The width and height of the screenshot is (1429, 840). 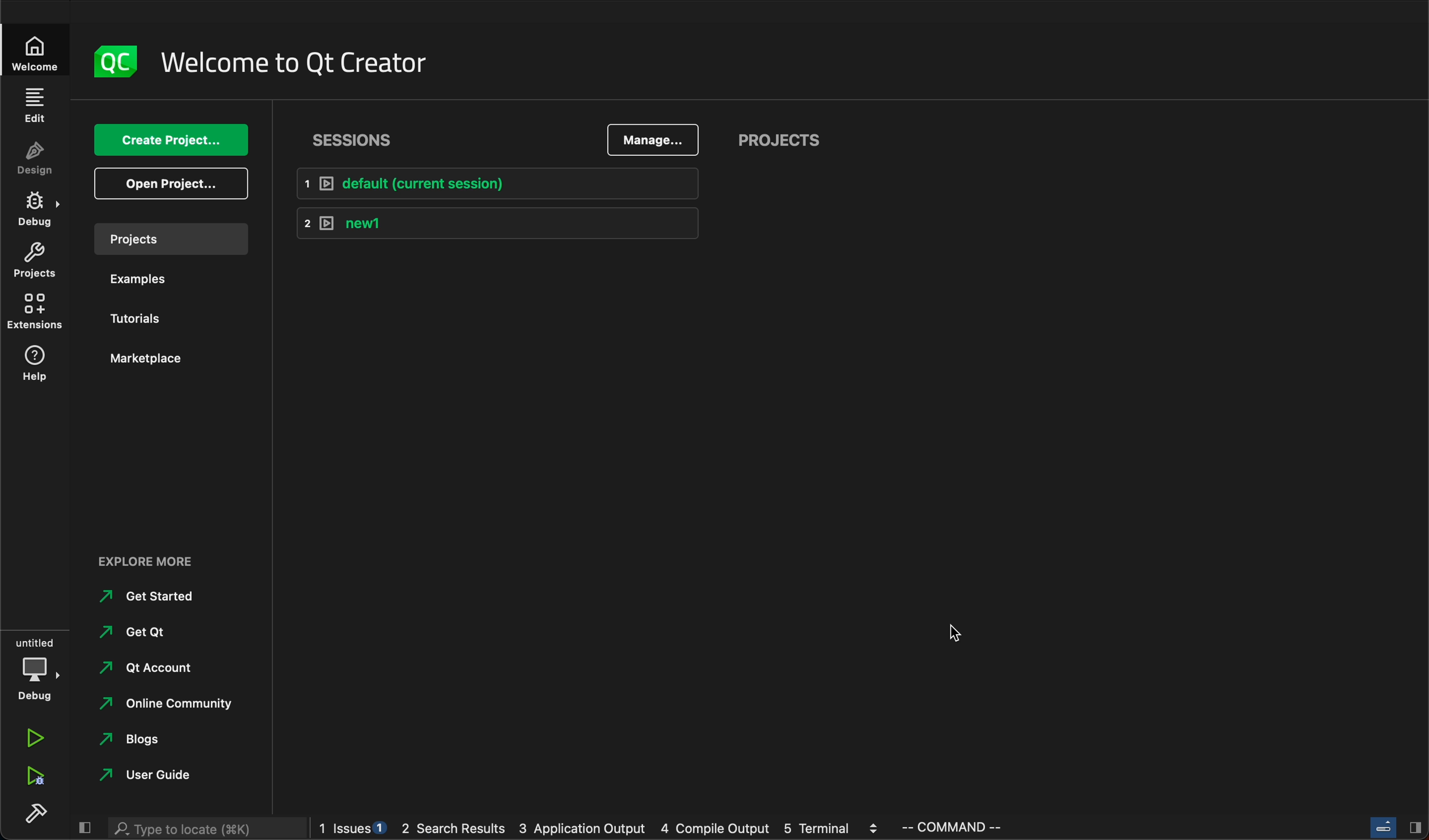 I want to click on debug, so click(x=37, y=212).